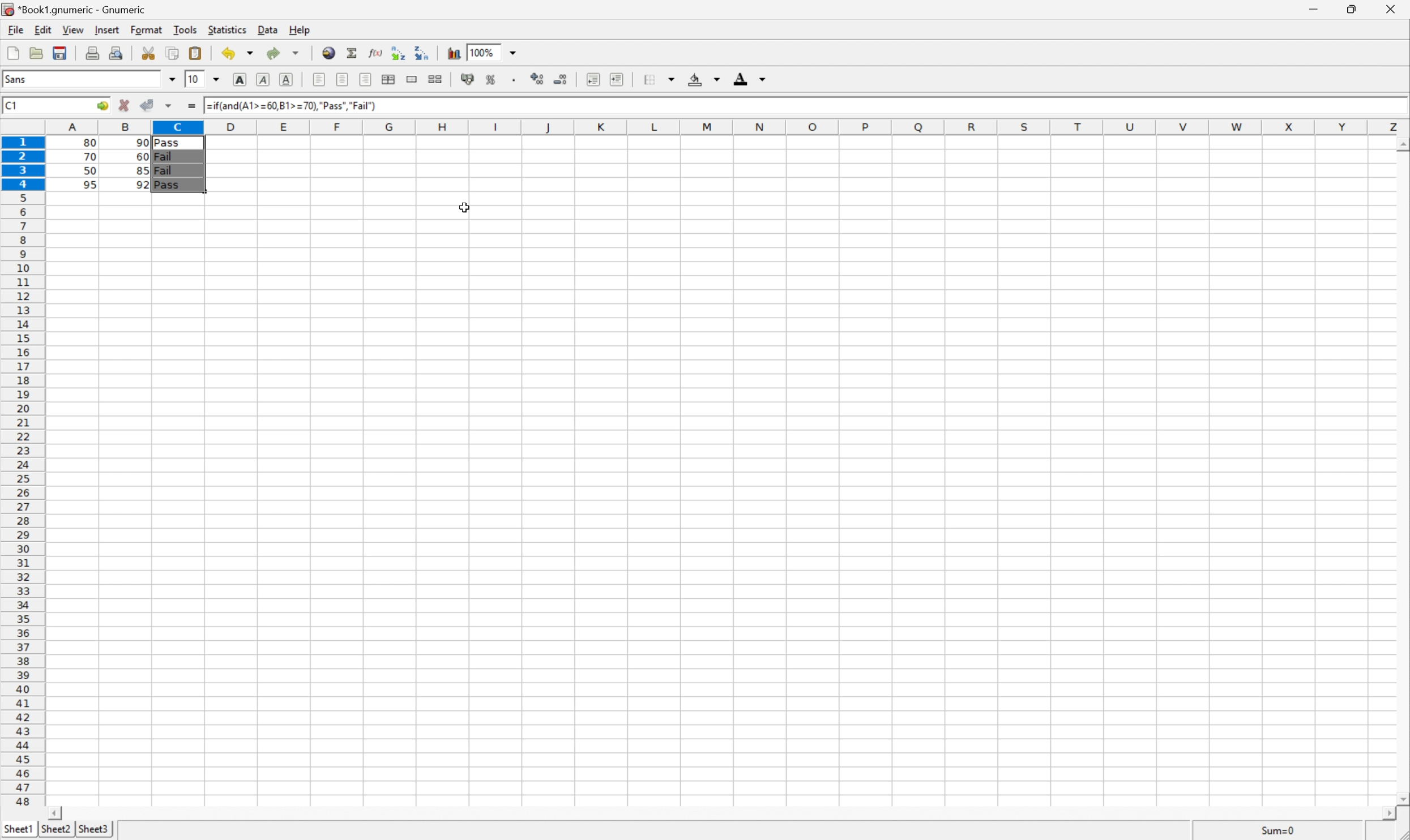 This screenshot has height=840, width=1410. I want to click on Sort the selected region in descending order based on the first column selected, so click(424, 54).